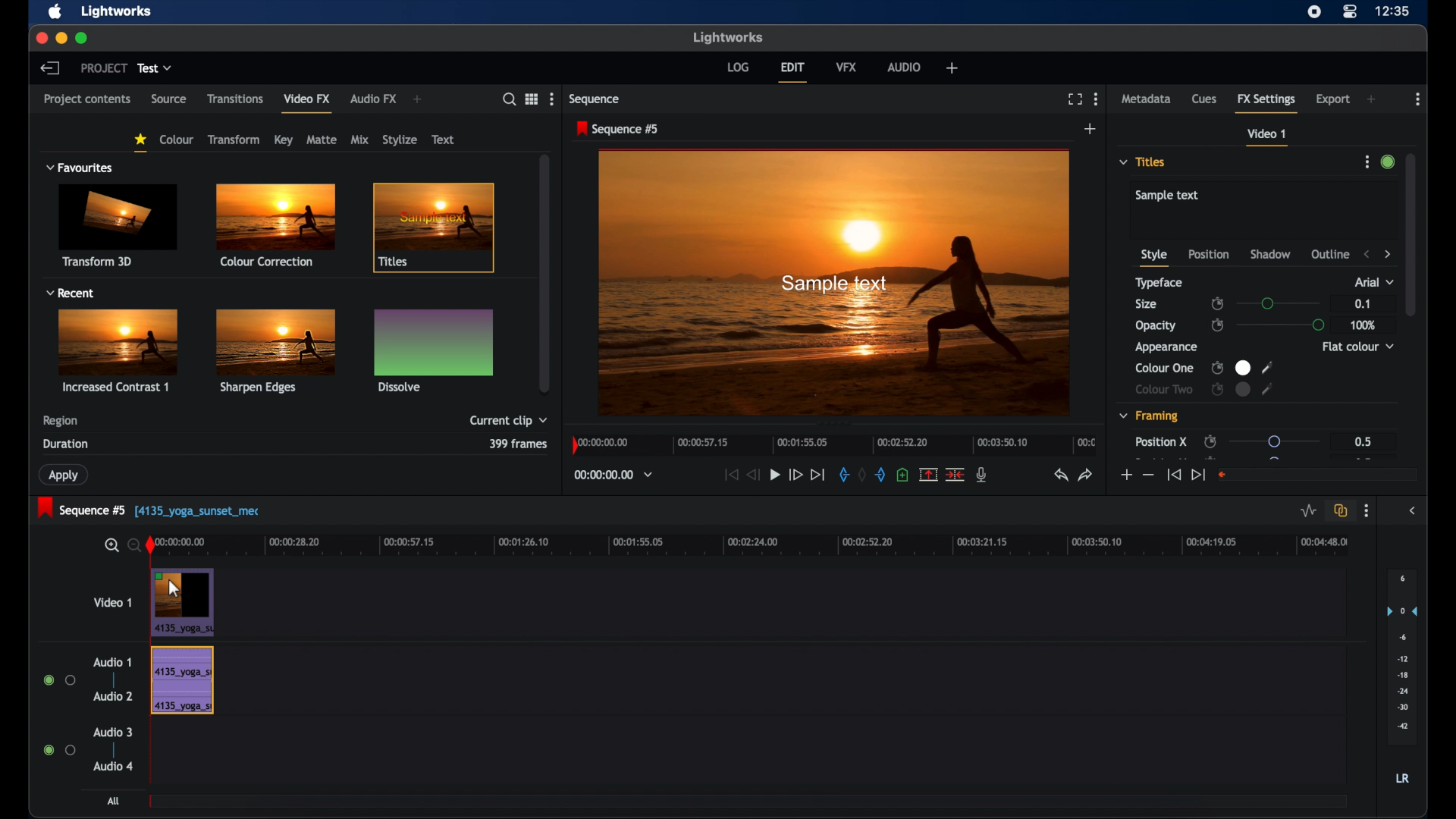 This screenshot has width=1456, height=819. I want to click on opacity, so click(1154, 326).